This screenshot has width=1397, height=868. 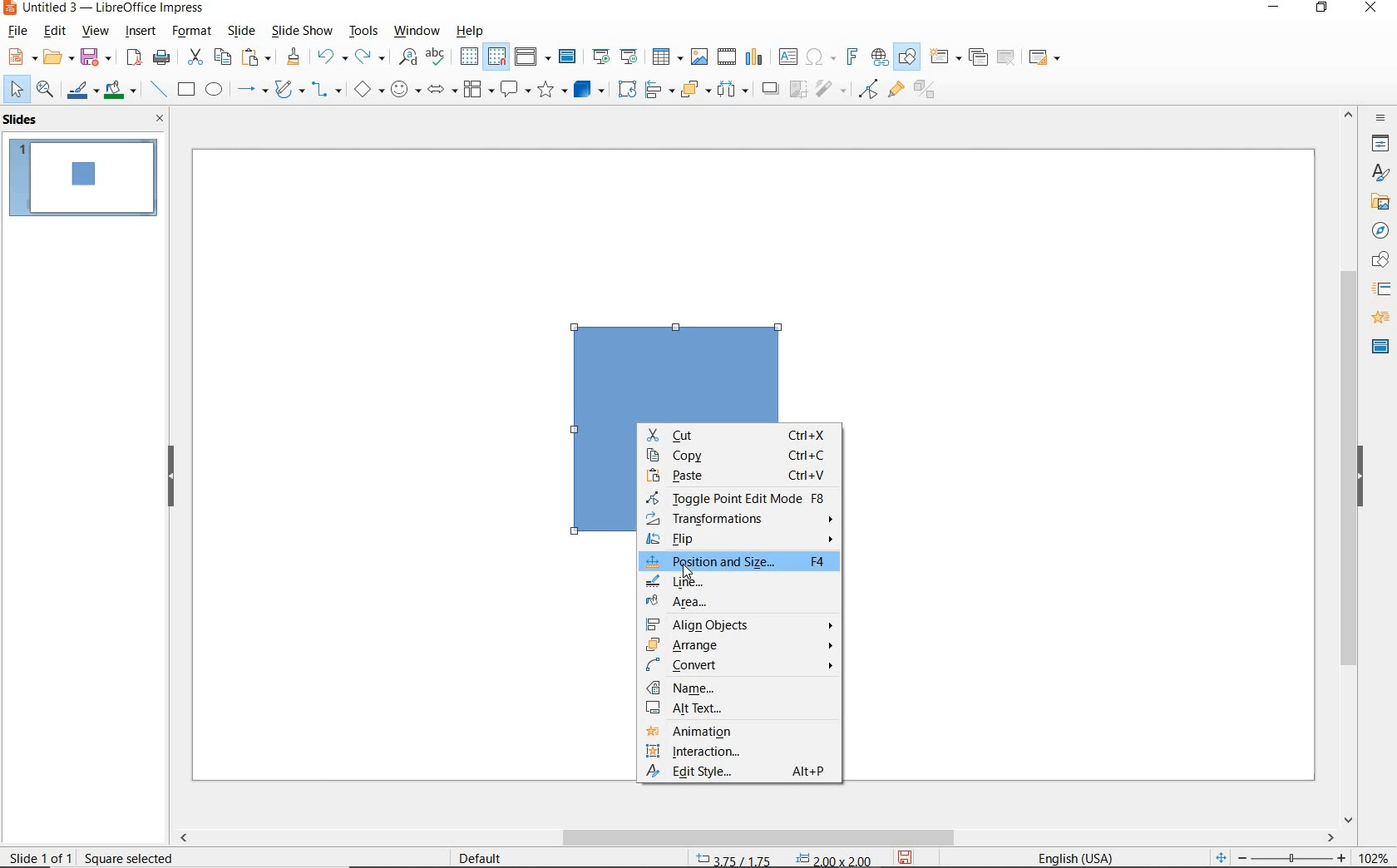 What do you see at coordinates (13, 91) in the screenshot?
I see `select` at bounding box center [13, 91].